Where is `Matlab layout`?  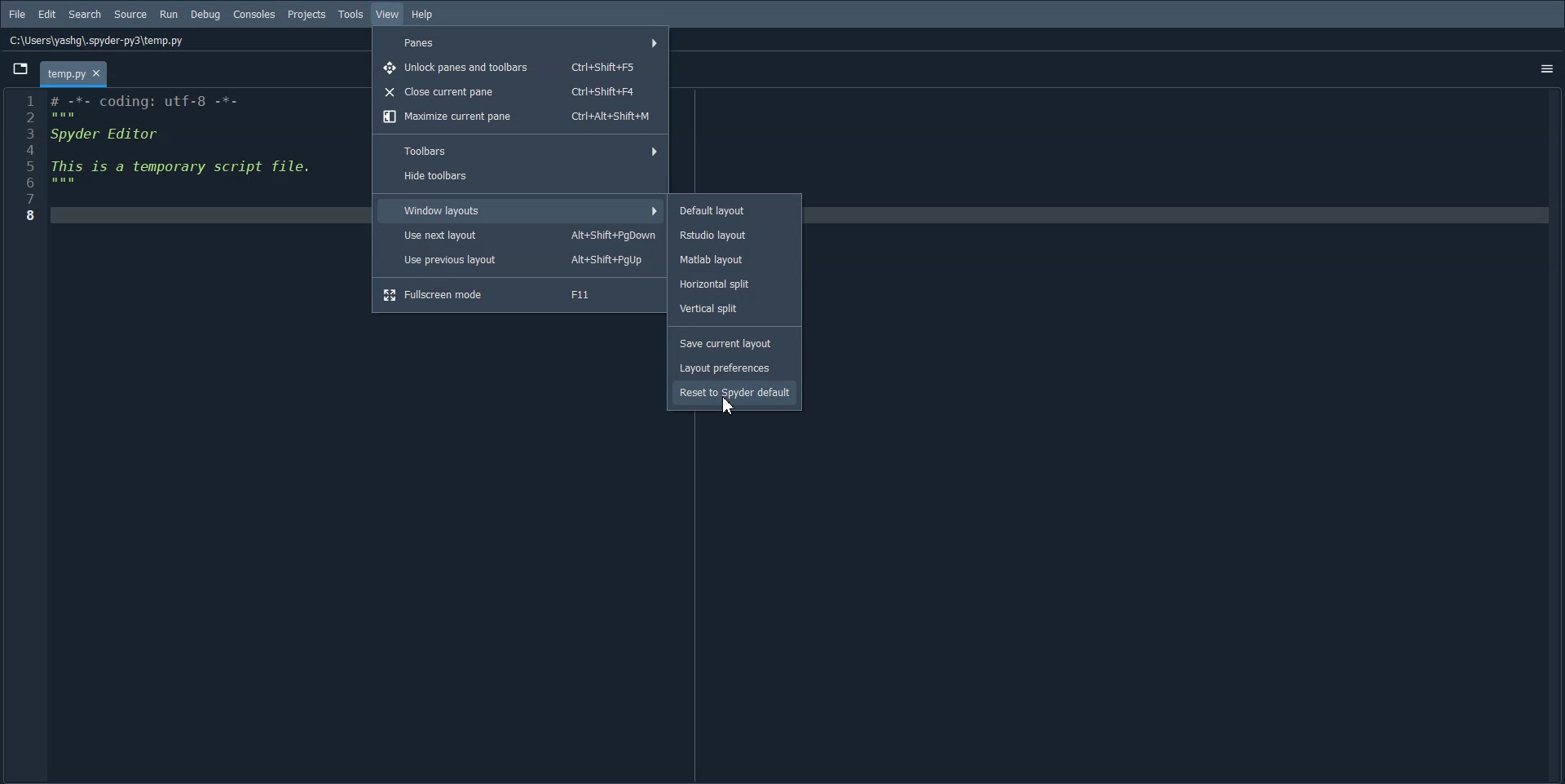
Matlab layout is located at coordinates (735, 259).